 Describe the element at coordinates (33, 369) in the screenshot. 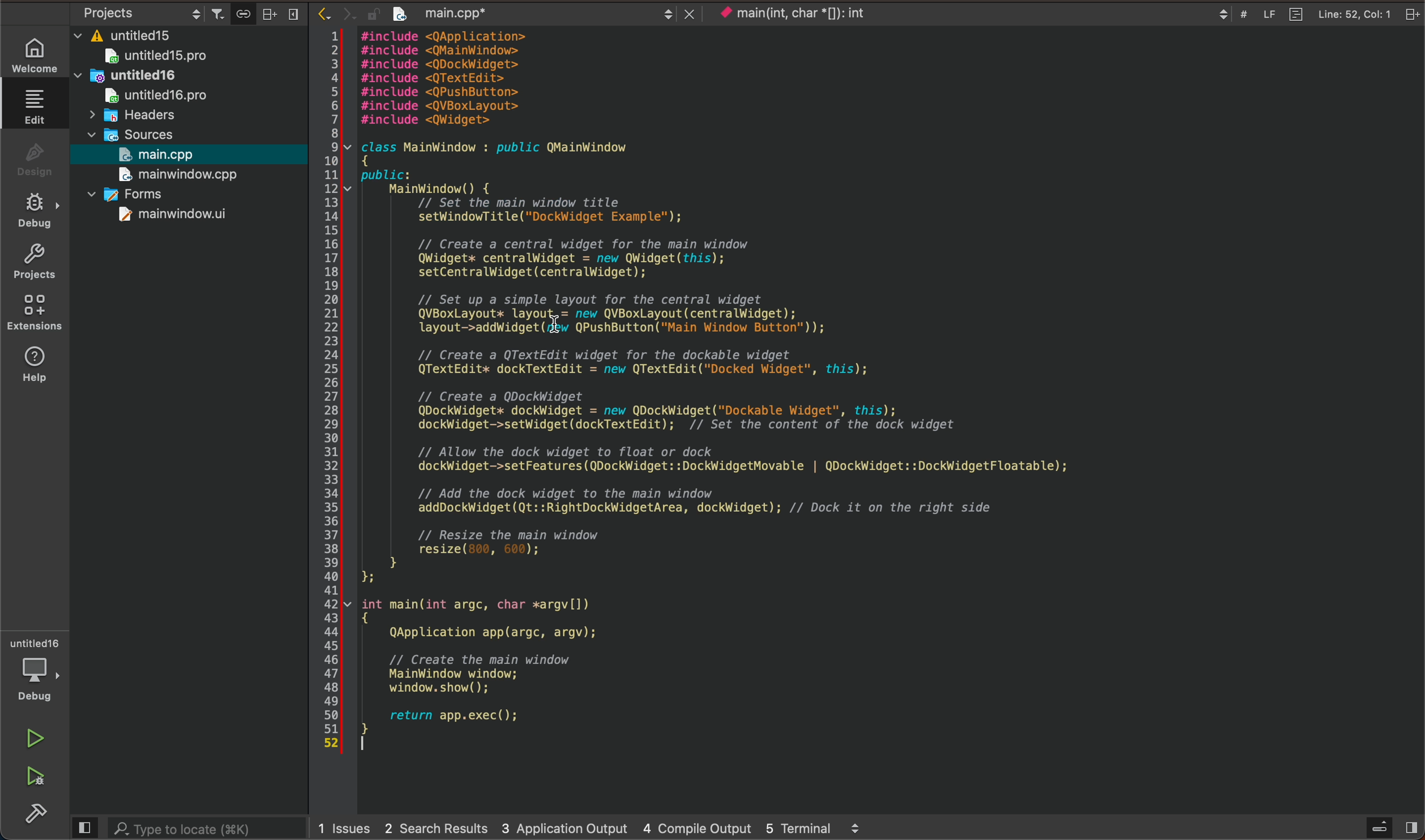

I see `help` at that location.